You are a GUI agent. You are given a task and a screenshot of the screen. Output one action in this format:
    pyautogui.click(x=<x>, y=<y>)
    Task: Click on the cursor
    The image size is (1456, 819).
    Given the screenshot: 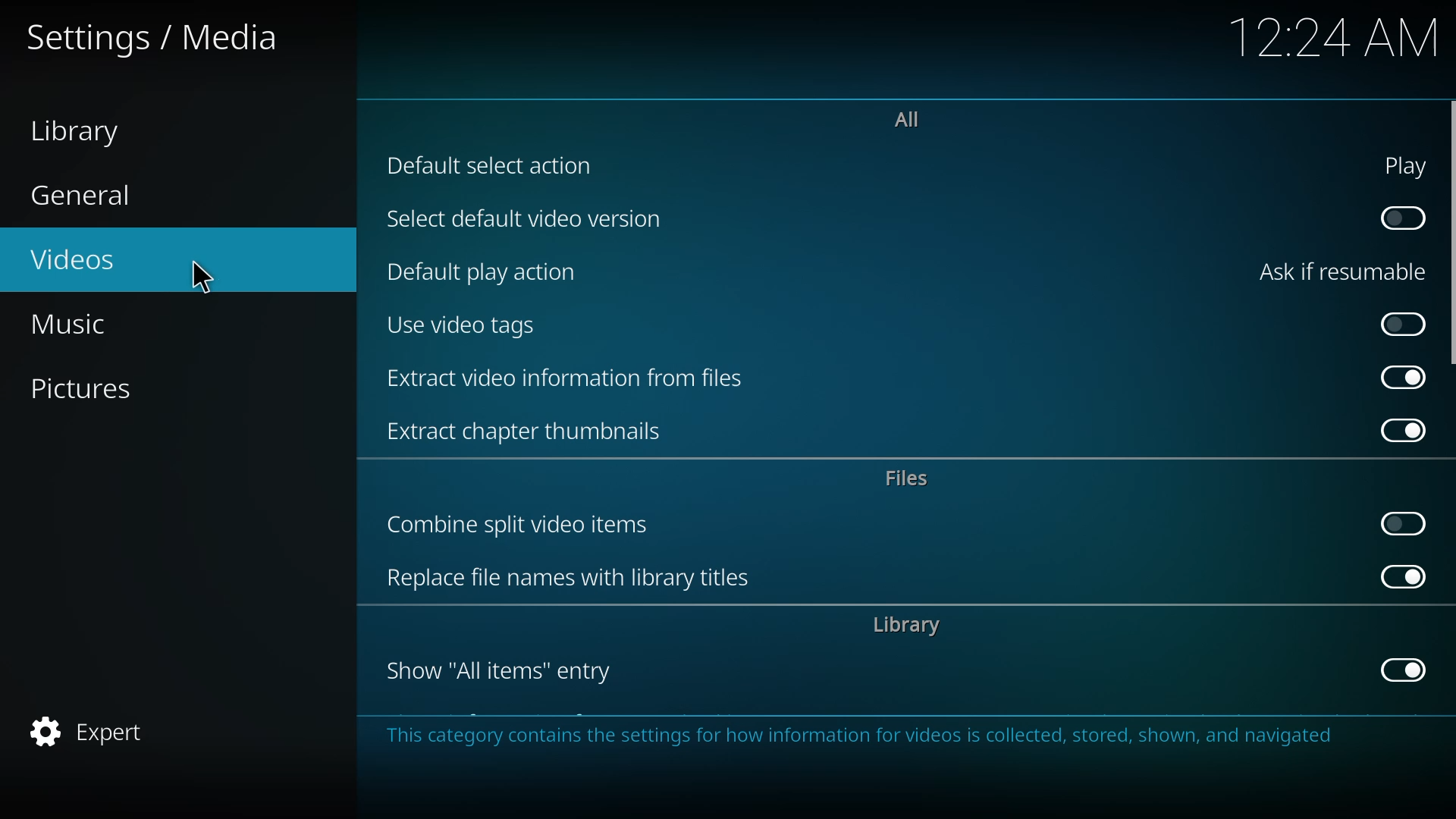 What is the action you would take?
    pyautogui.click(x=202, y=276)
    